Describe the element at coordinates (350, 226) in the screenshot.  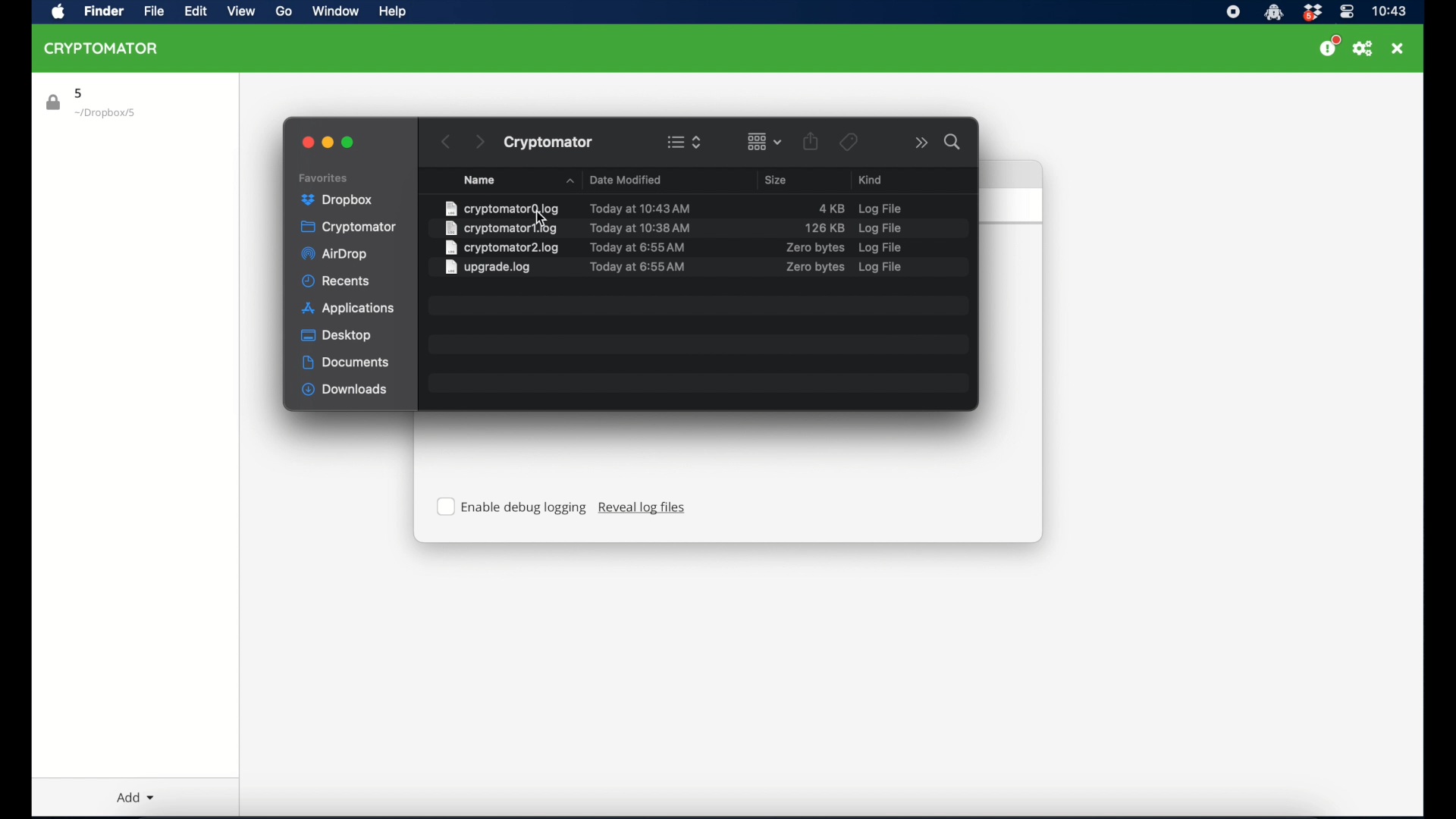
I see `cryptomator` at that location.